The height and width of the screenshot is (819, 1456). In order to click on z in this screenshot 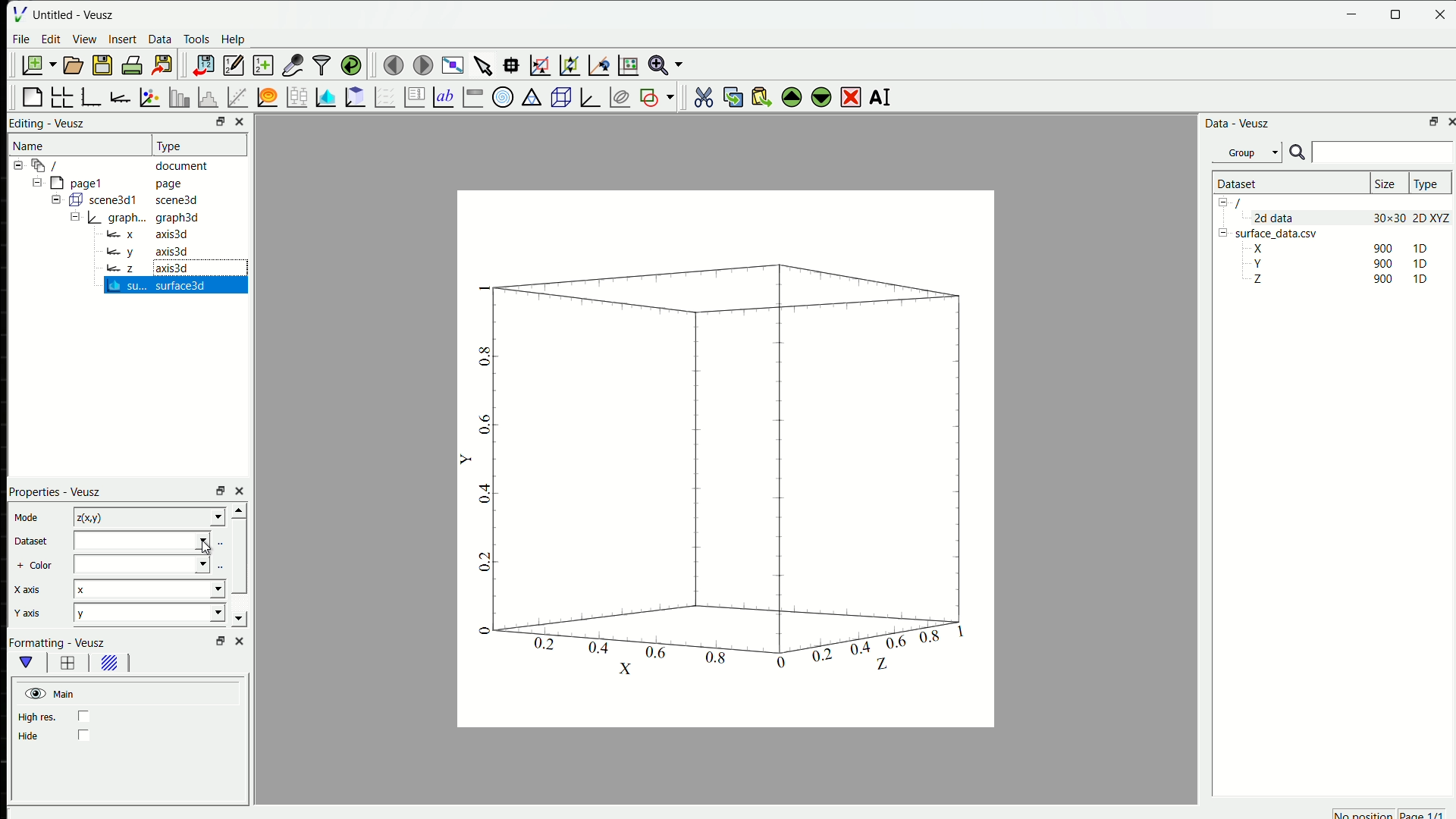, I will do `click(121, 268)`.